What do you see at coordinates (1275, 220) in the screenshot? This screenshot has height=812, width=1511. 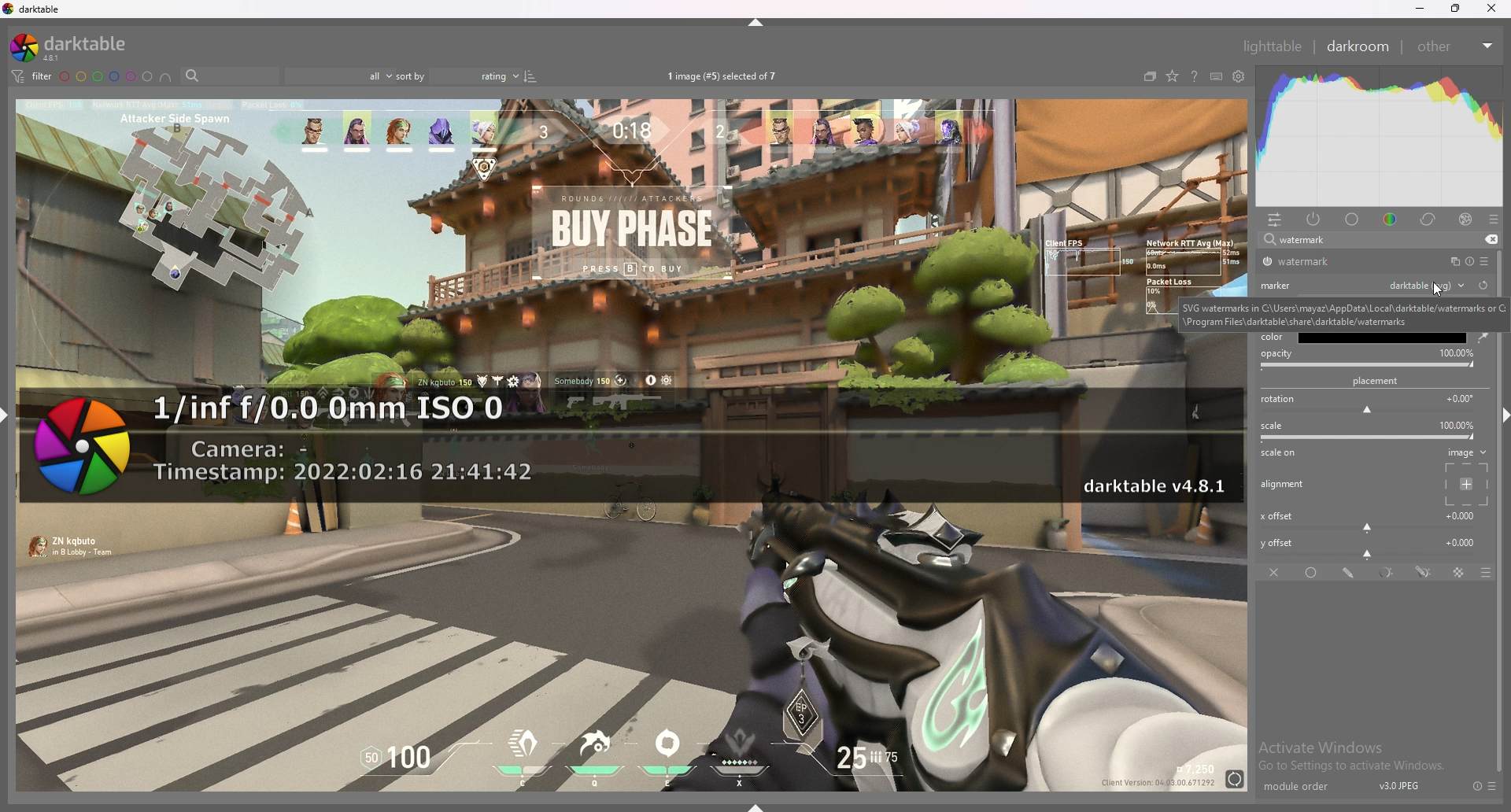 I see `quick access panel` at bounding box center [1275, 220].